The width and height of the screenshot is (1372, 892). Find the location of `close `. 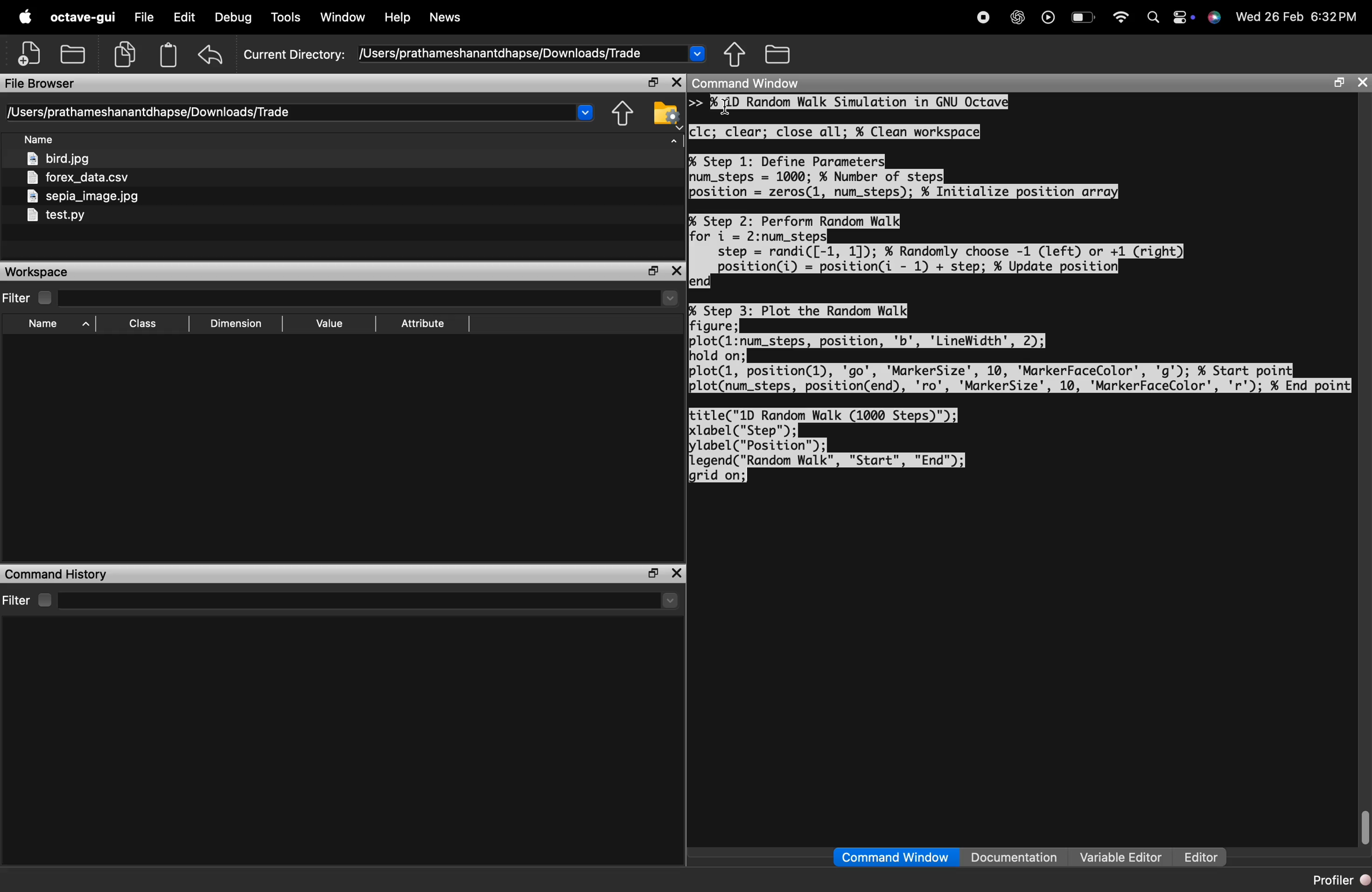

close  is located at coordinates (677, 573).